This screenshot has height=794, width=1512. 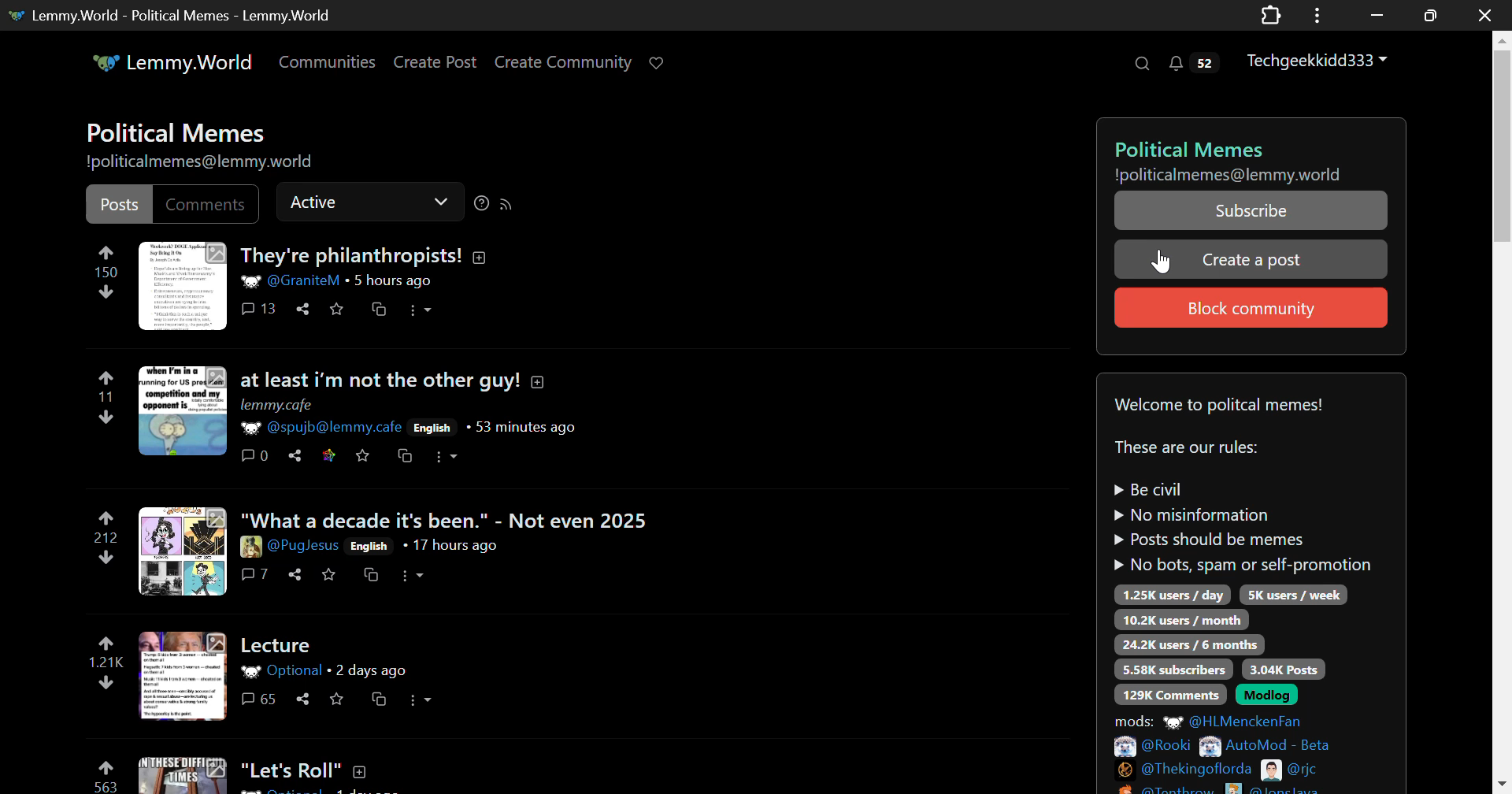 I want to click on Share, so click(x=301, y=699).